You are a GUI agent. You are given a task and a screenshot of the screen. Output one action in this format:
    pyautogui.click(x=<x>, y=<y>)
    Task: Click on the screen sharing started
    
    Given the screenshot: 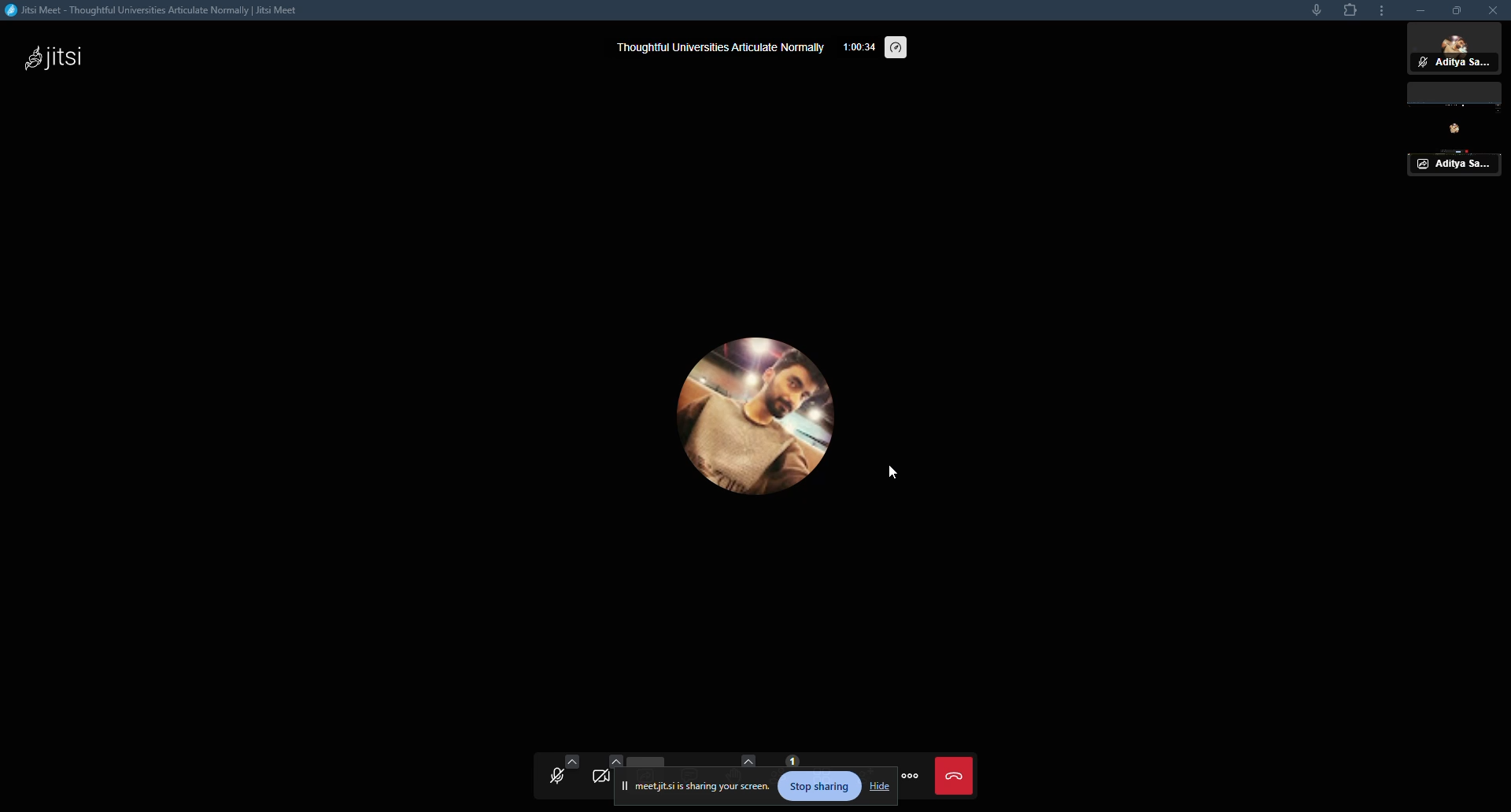 What is the action you would take?
    pyautogui.click(x=699, y=784)
    